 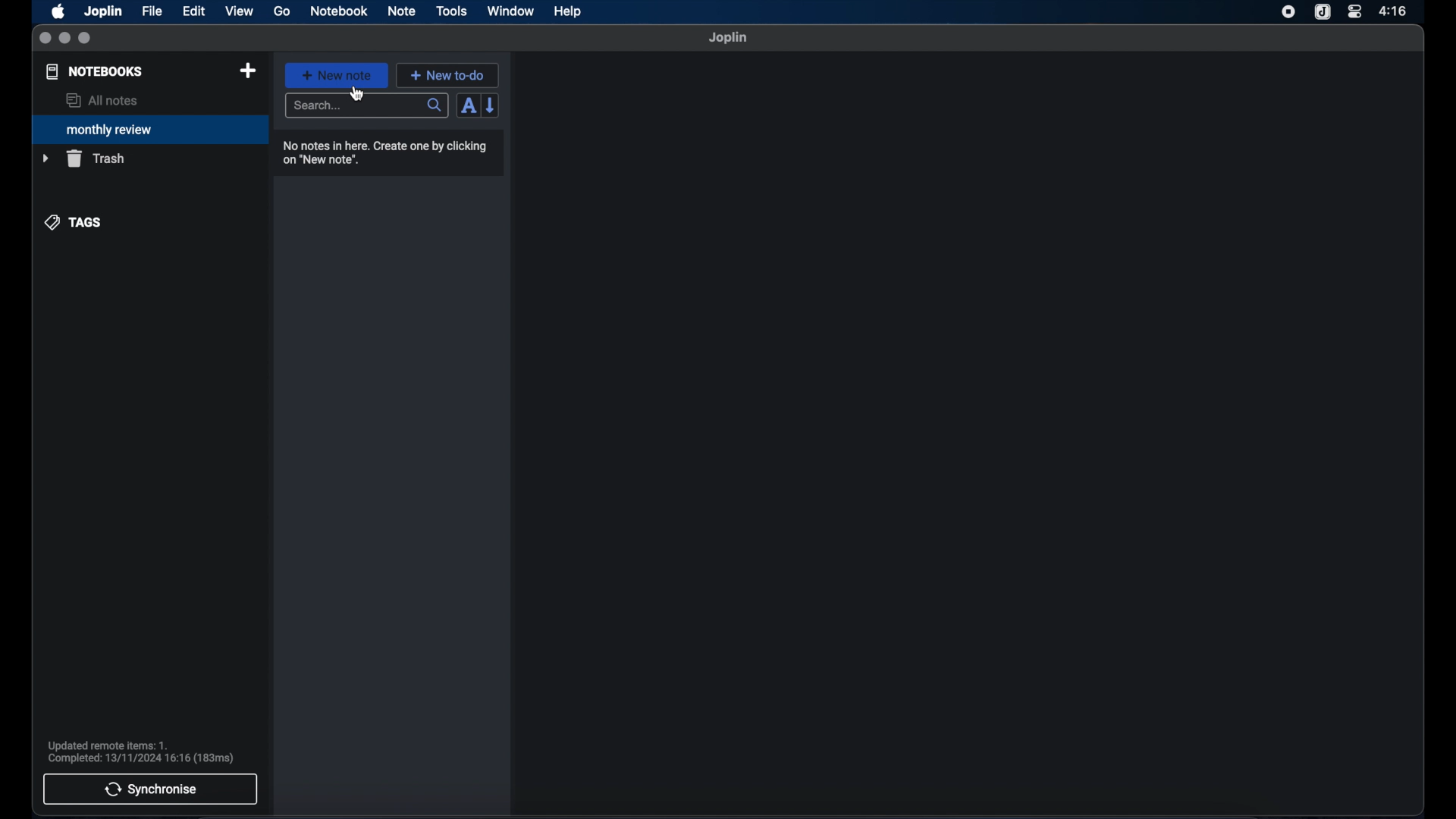 I want to click on synchronise, so click(x=150, y=789).